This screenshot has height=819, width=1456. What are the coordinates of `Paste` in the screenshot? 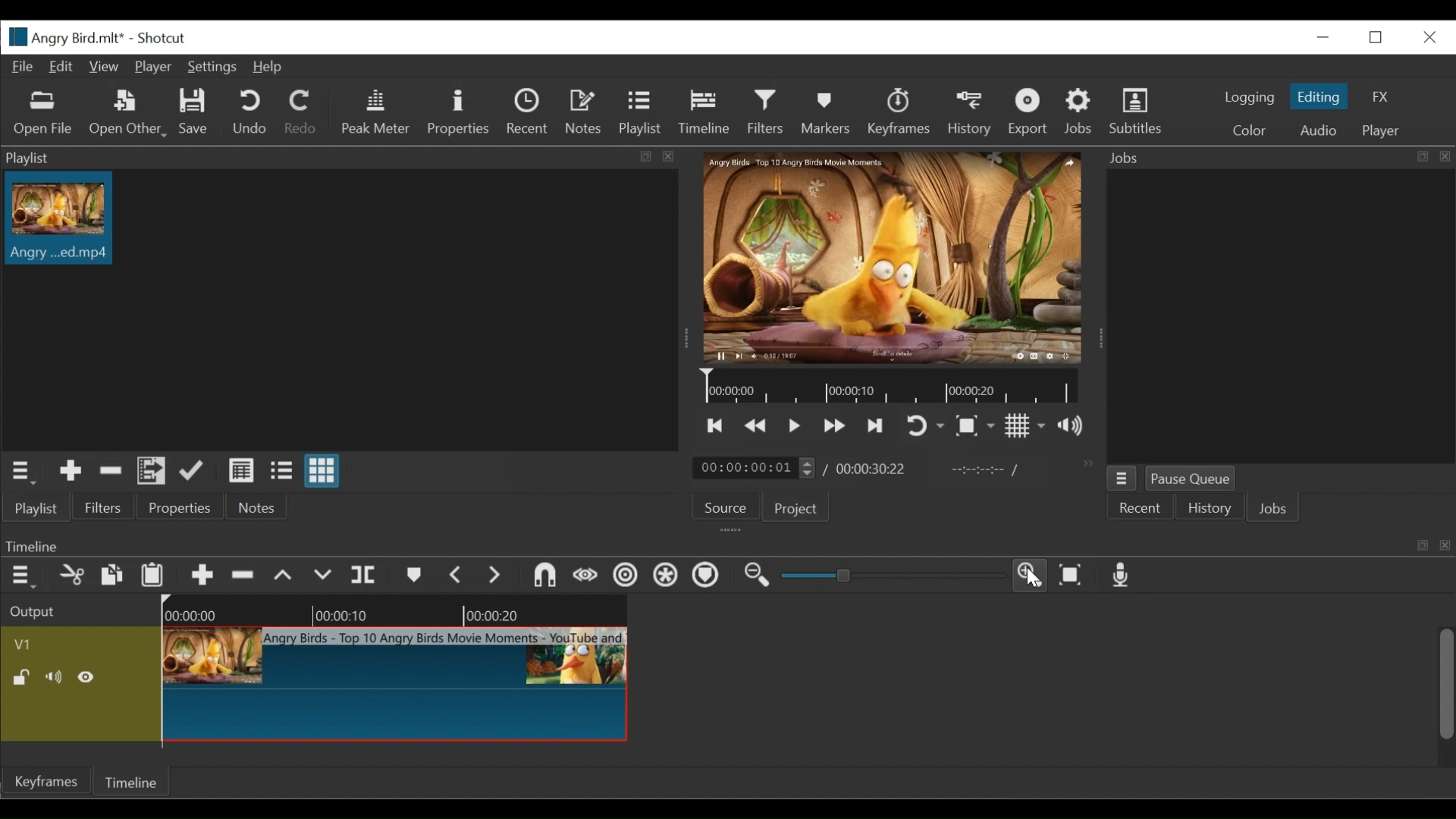 It's located at (152, 573).